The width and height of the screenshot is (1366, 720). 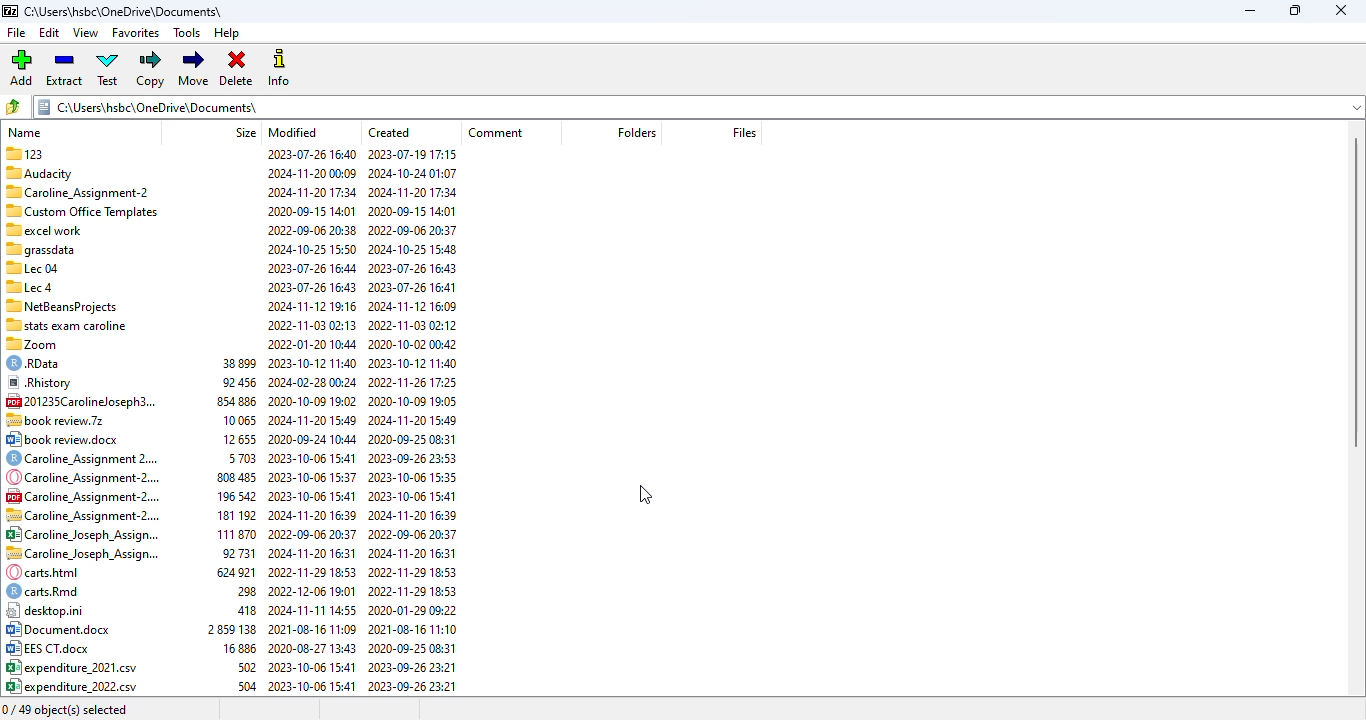 What do you see at coordinates (109, 69) in the screenshot?
I see `test` at bounding box center [109, 69].